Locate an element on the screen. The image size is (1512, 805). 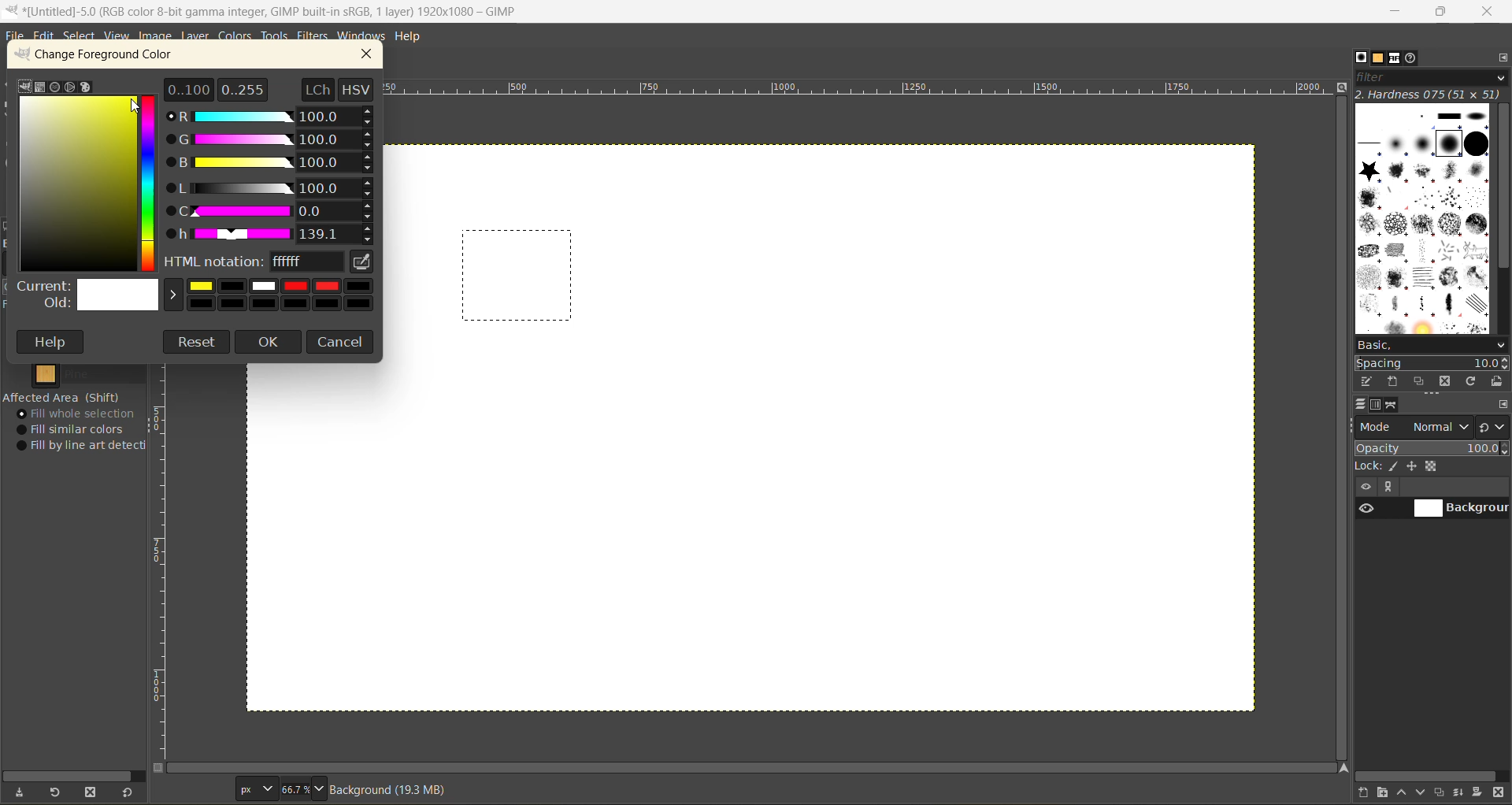
current and old colors is located at coordinates (198, 297).